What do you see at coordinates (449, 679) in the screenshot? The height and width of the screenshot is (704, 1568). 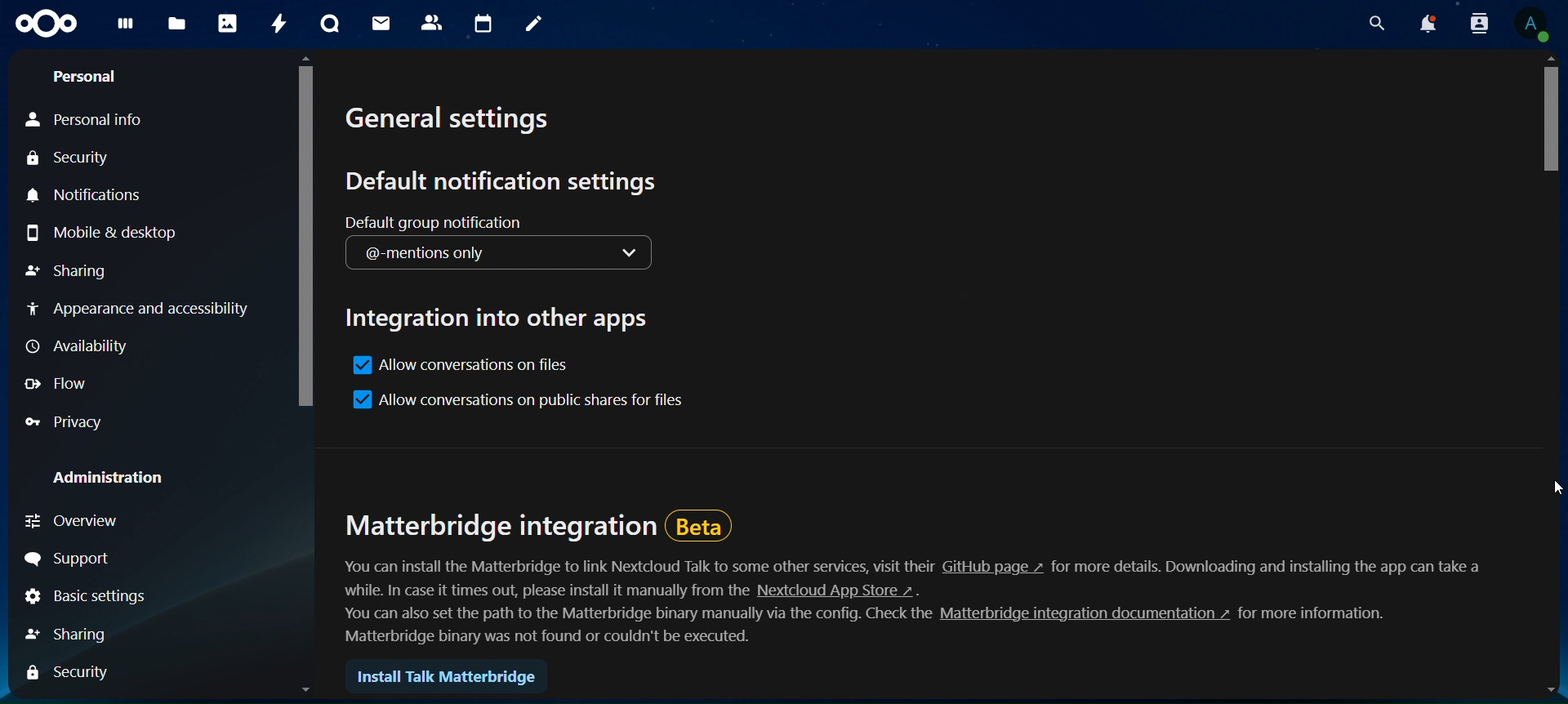 I see `install talk matterbridge` at bounding box center [449, 679].